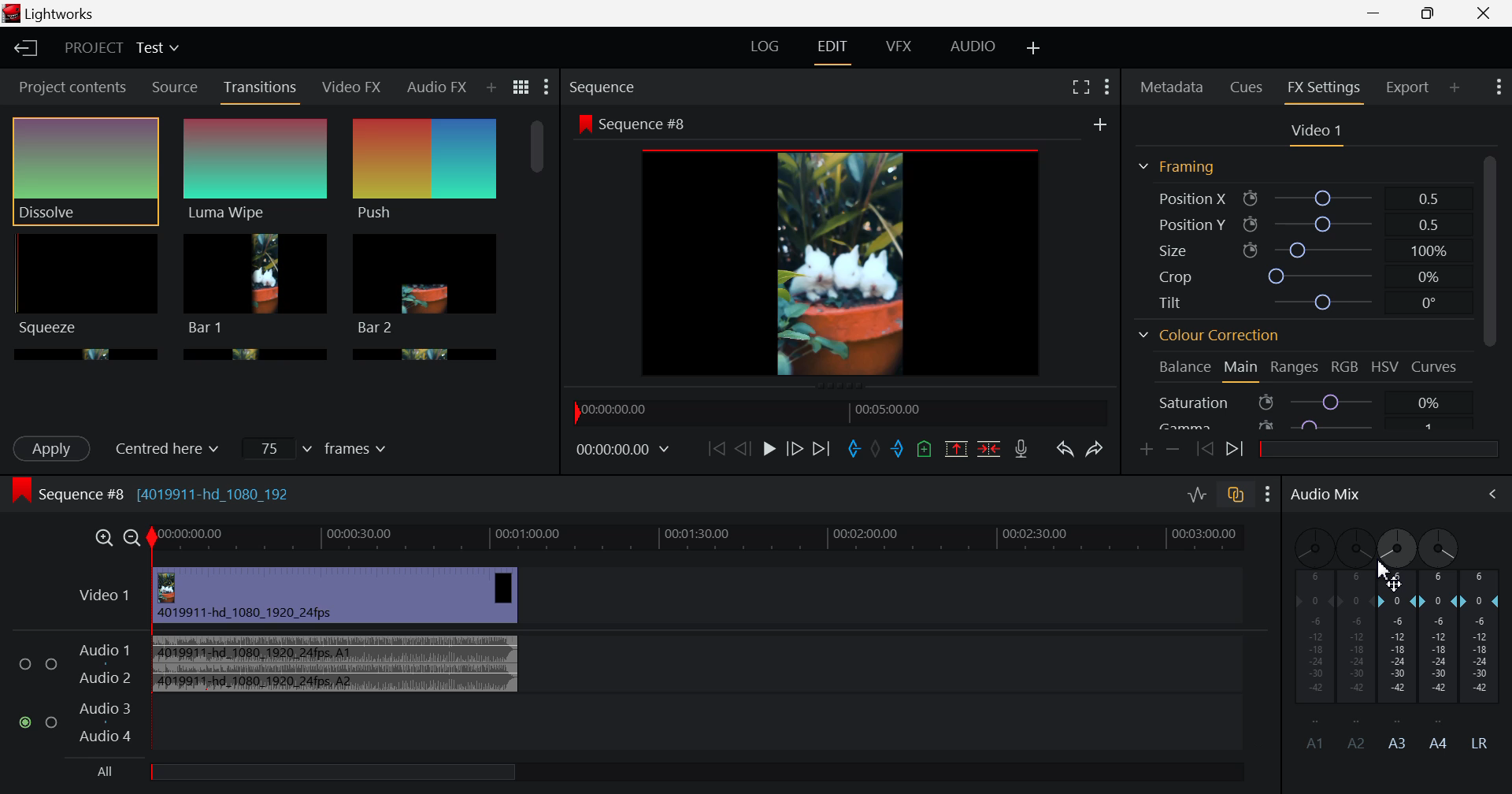 The width and height of the screenshot is (1512, 794). Describe the element at coordinates (85, 172) in the screenshot. I see `Dissolve` at that location.